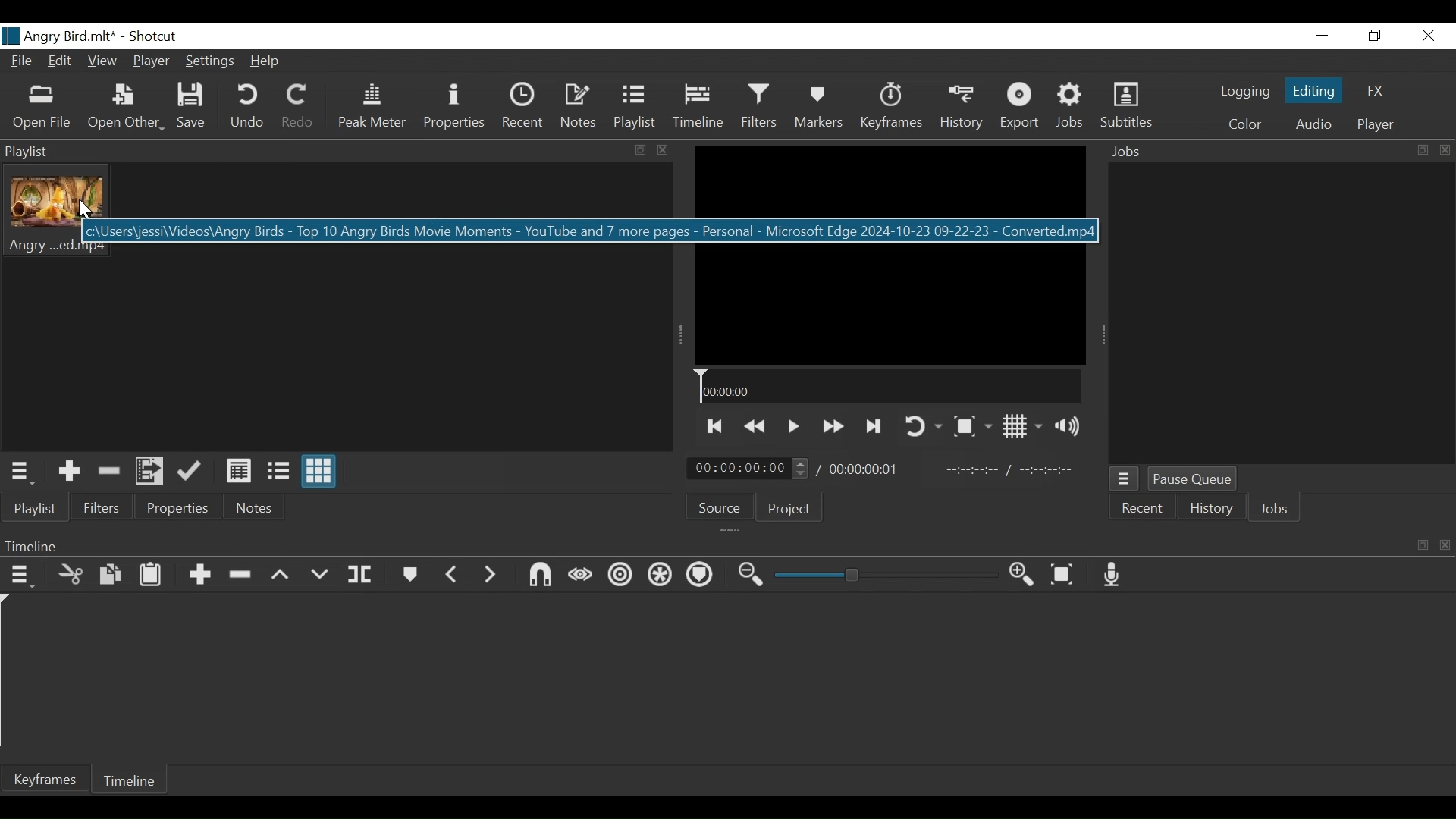 Image resolution: width=1456 pixels, height=819 pixels. Describe the element at coordinates (149, 470) in the screenshot. I see `Add the files to the playlist` at that location.